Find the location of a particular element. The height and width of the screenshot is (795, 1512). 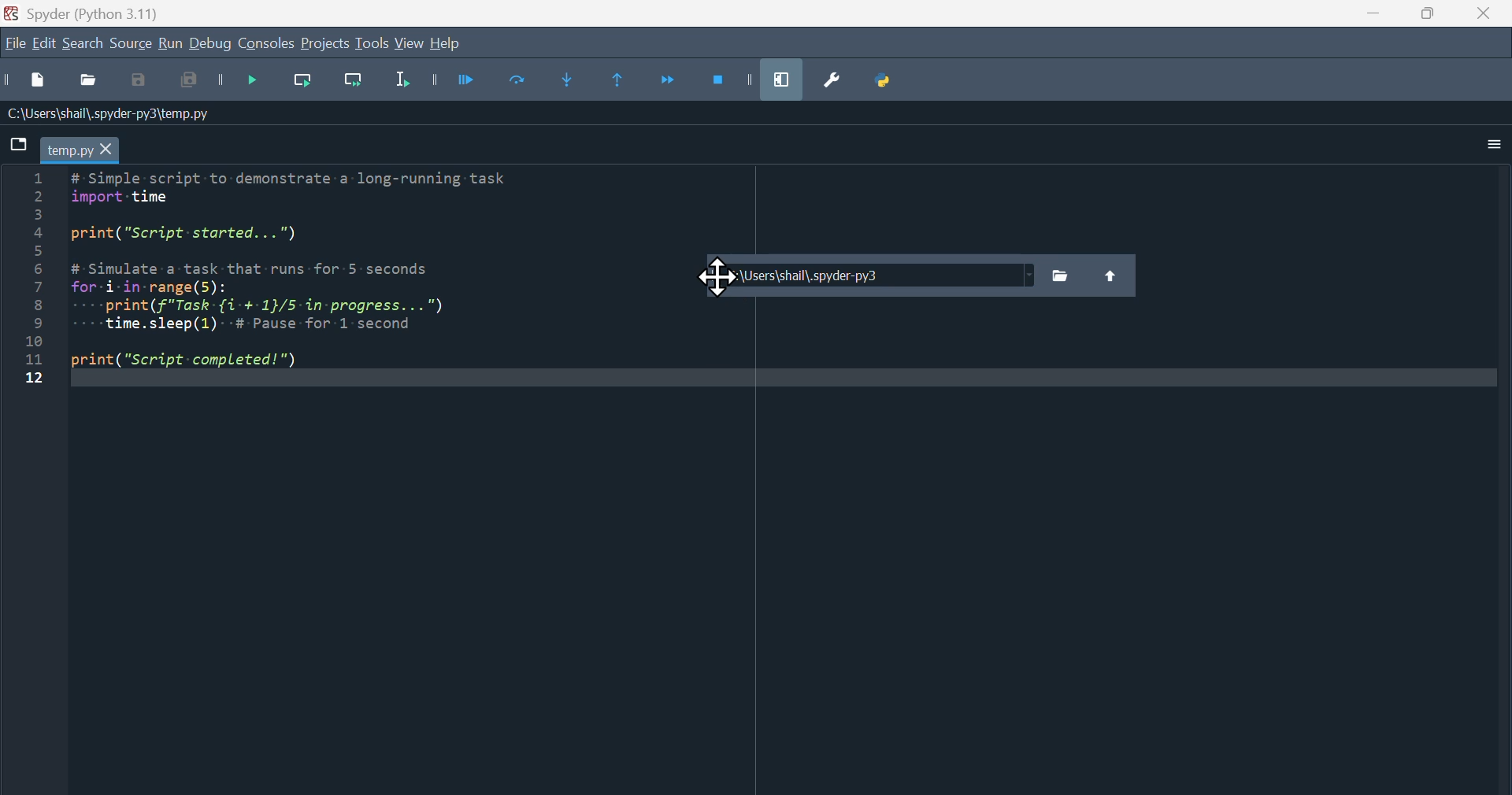

New file is located at coordinates (28, 85).